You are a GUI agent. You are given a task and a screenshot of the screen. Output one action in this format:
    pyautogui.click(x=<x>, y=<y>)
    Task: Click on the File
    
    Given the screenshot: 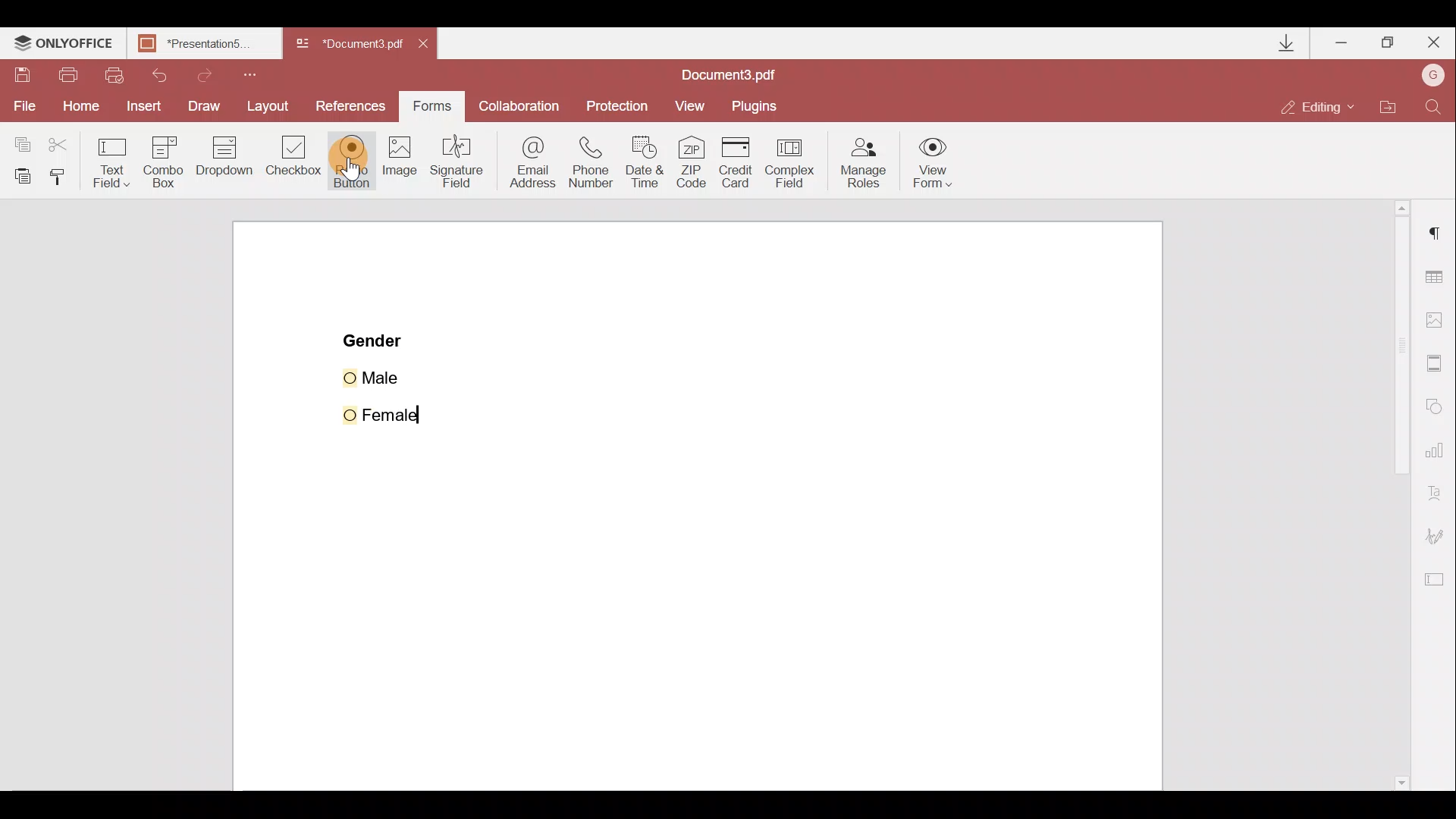 What is the action you would take?
    pyautogui.click(x=21, y=107)
    